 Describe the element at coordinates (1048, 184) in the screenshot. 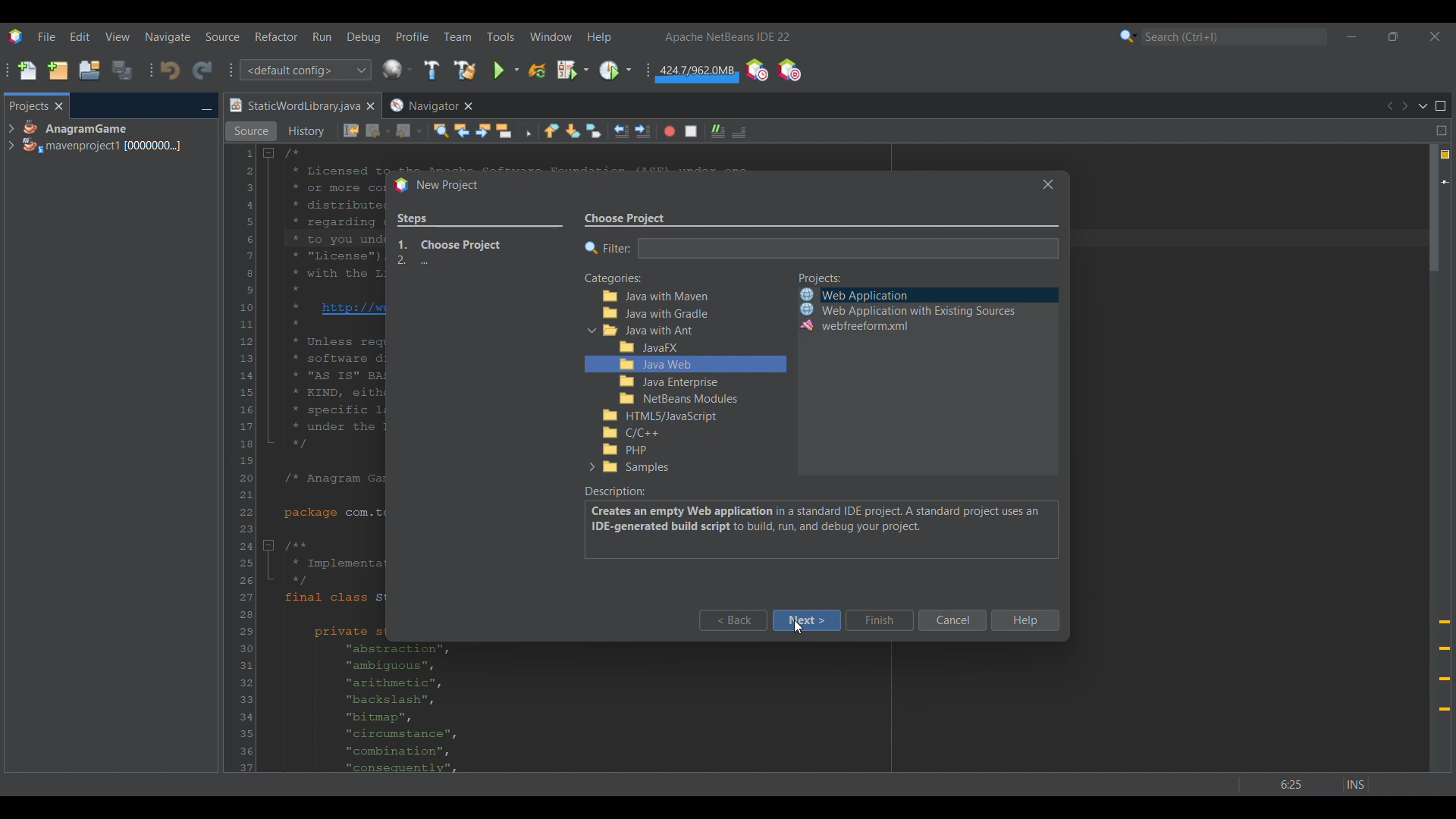

I see `Close window` at that location.